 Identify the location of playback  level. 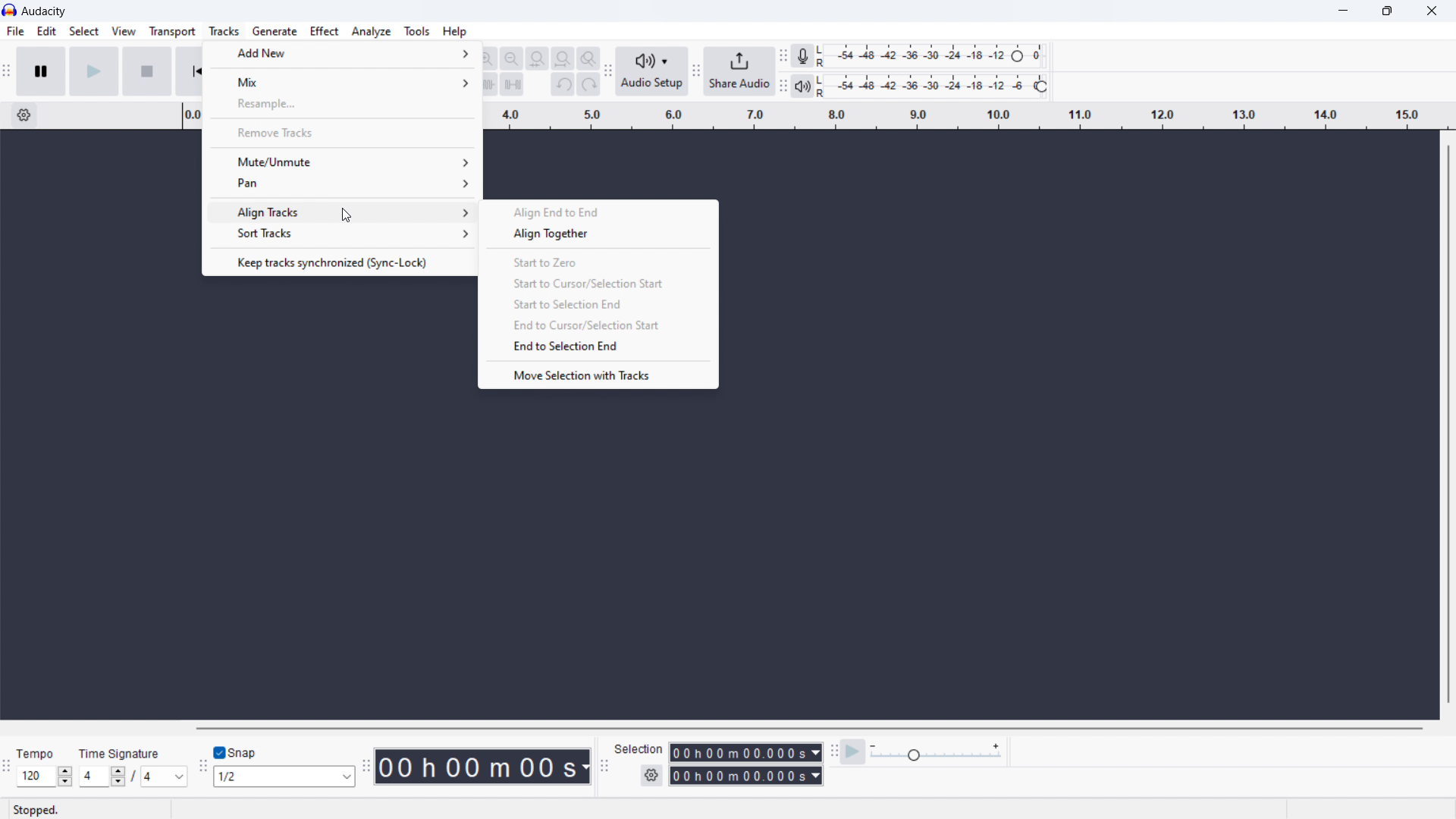
(934, 86).